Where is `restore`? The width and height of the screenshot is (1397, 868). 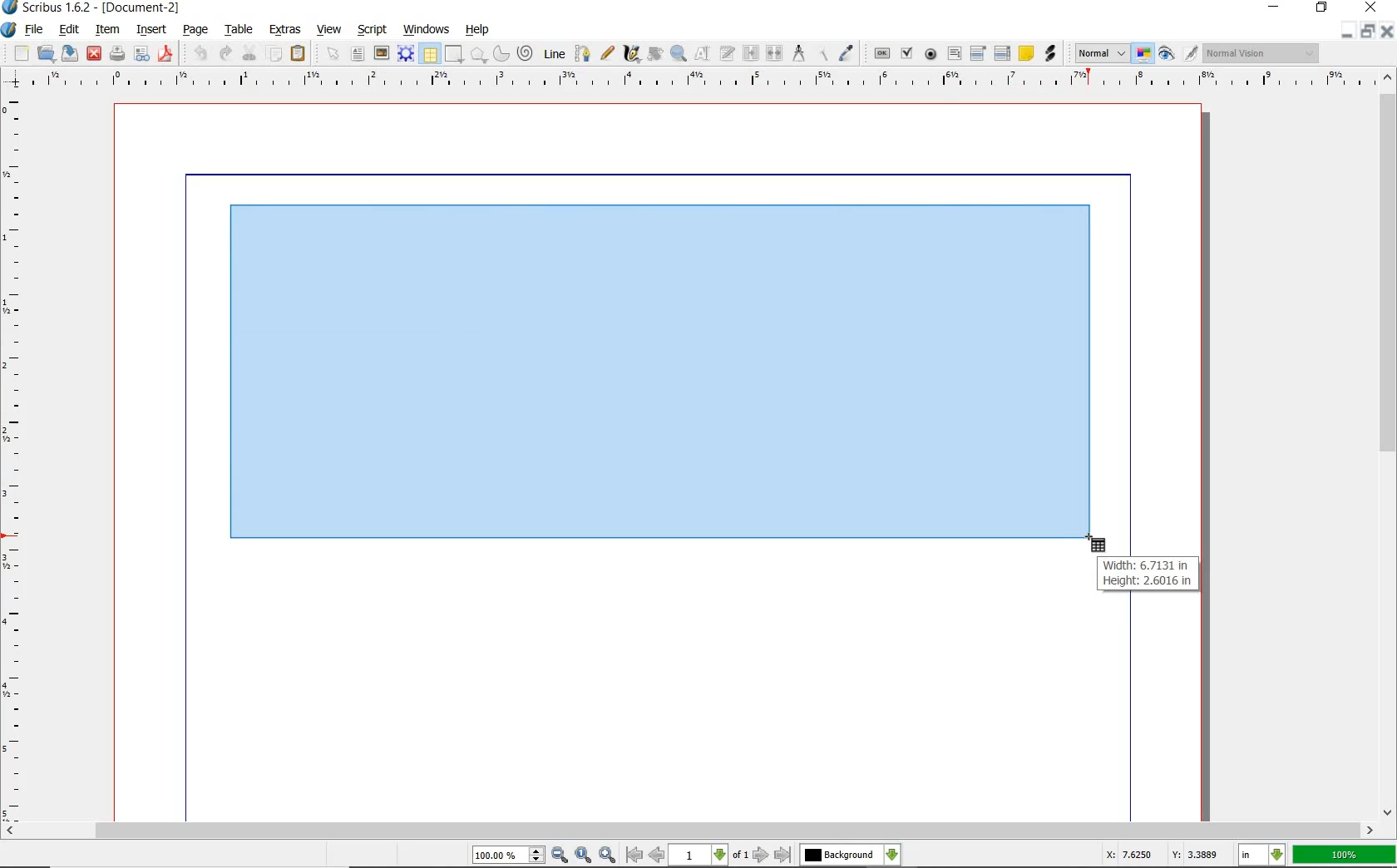 restore is located at coordinates (1367, 31).